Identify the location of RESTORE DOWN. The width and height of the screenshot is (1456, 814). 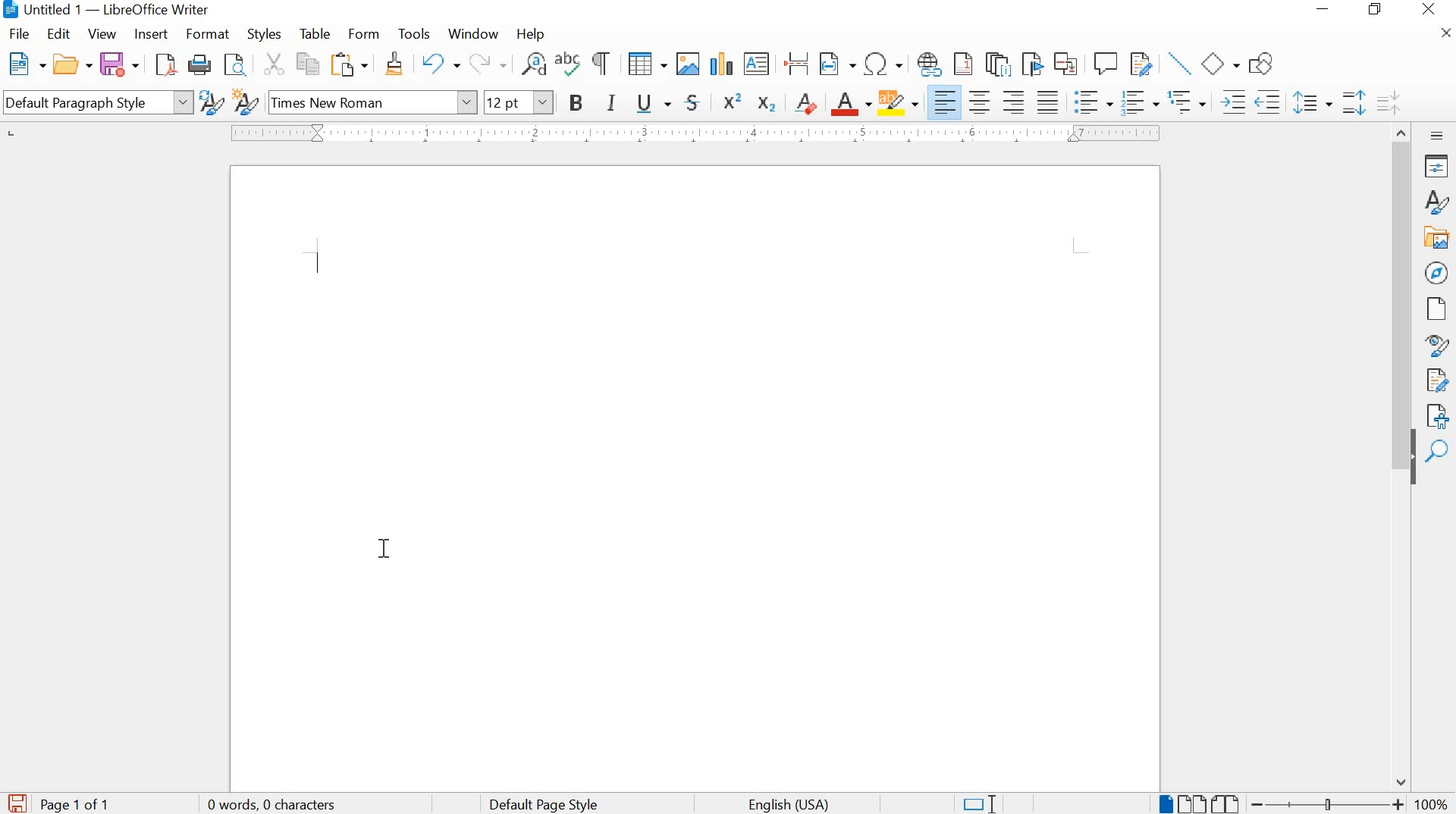
(1378, 11).